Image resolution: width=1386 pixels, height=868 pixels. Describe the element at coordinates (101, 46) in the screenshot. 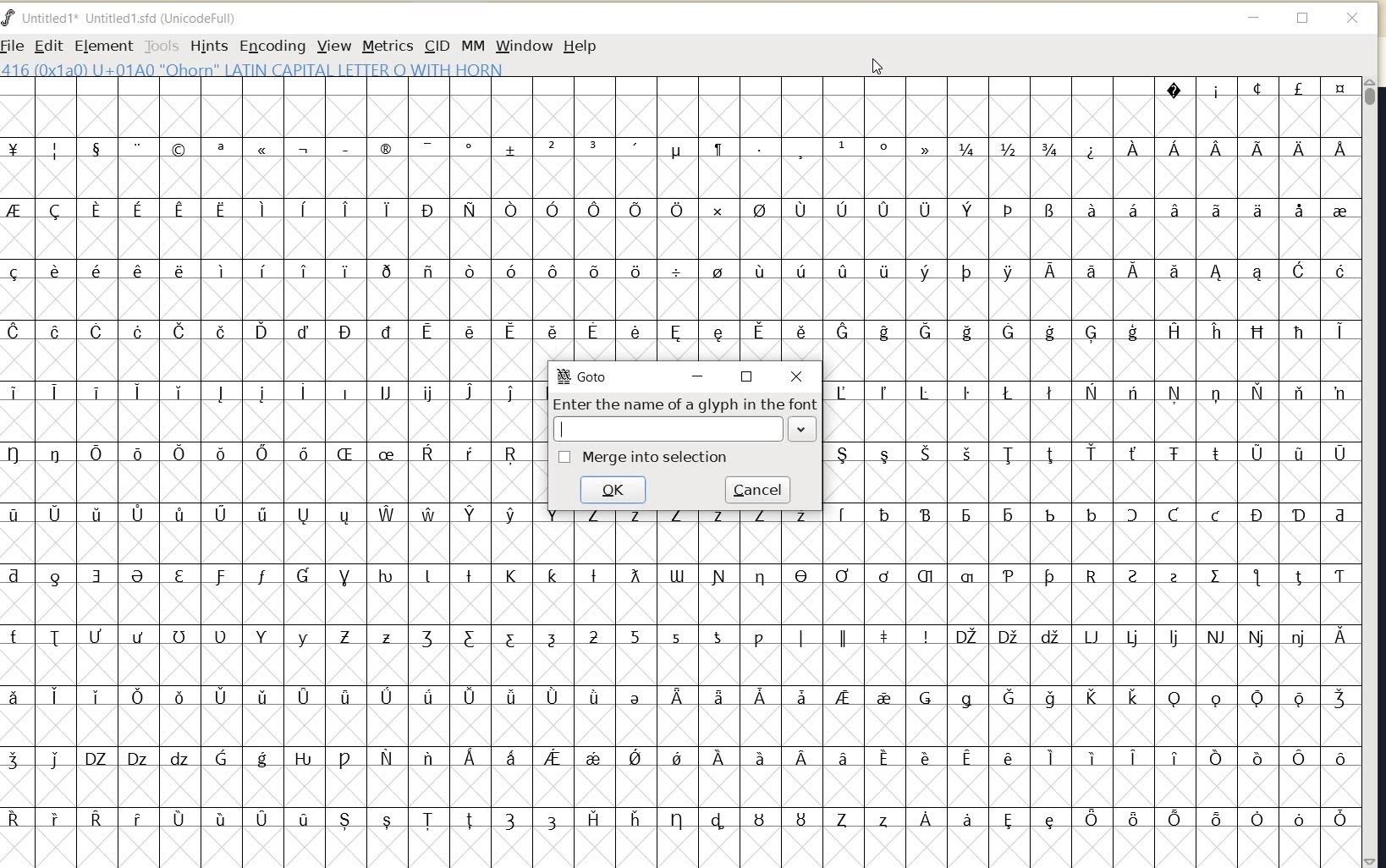

I see `ELEMENT` at that location.